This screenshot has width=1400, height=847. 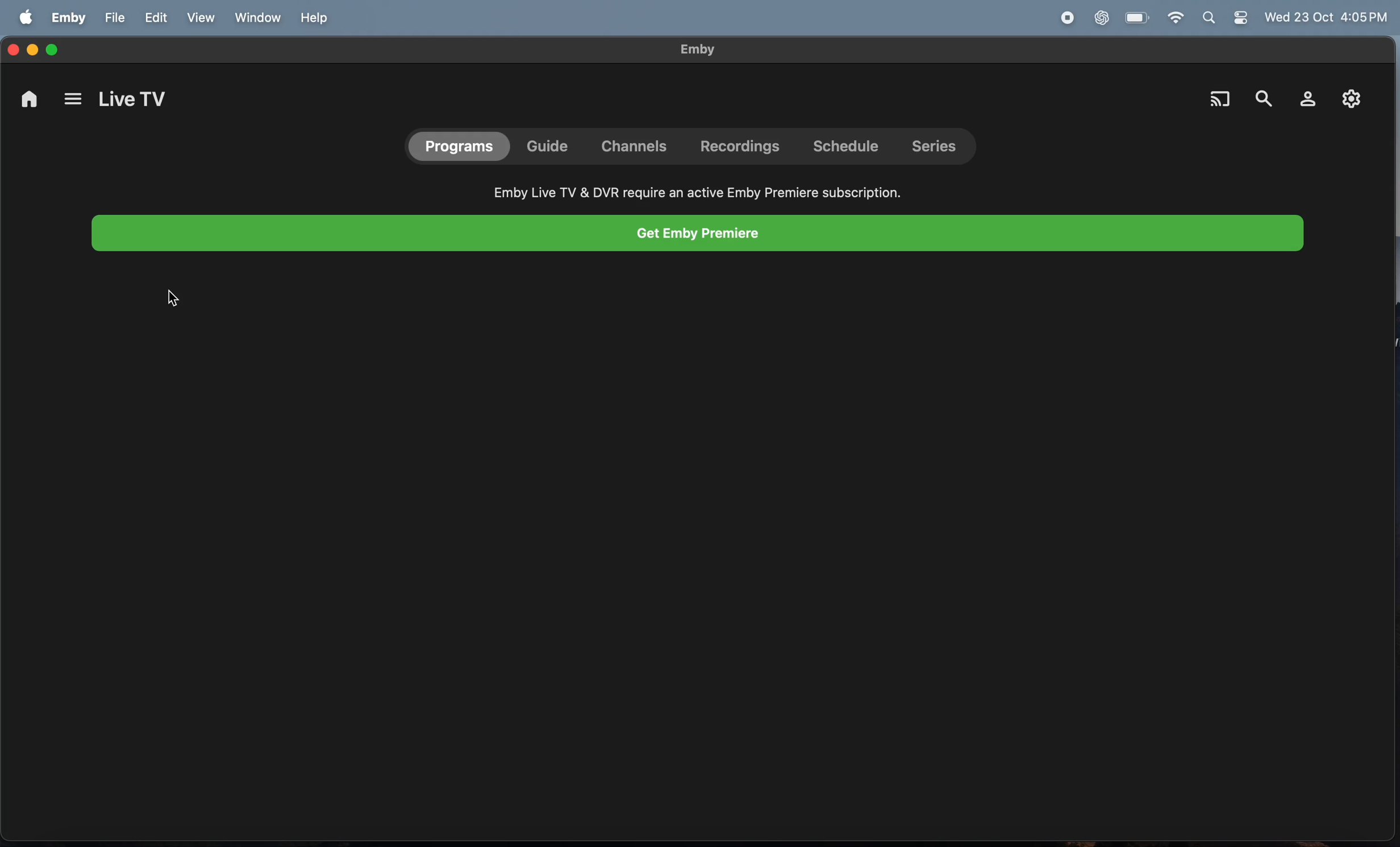 I want to click on live tv, so click(x=134, y=100).